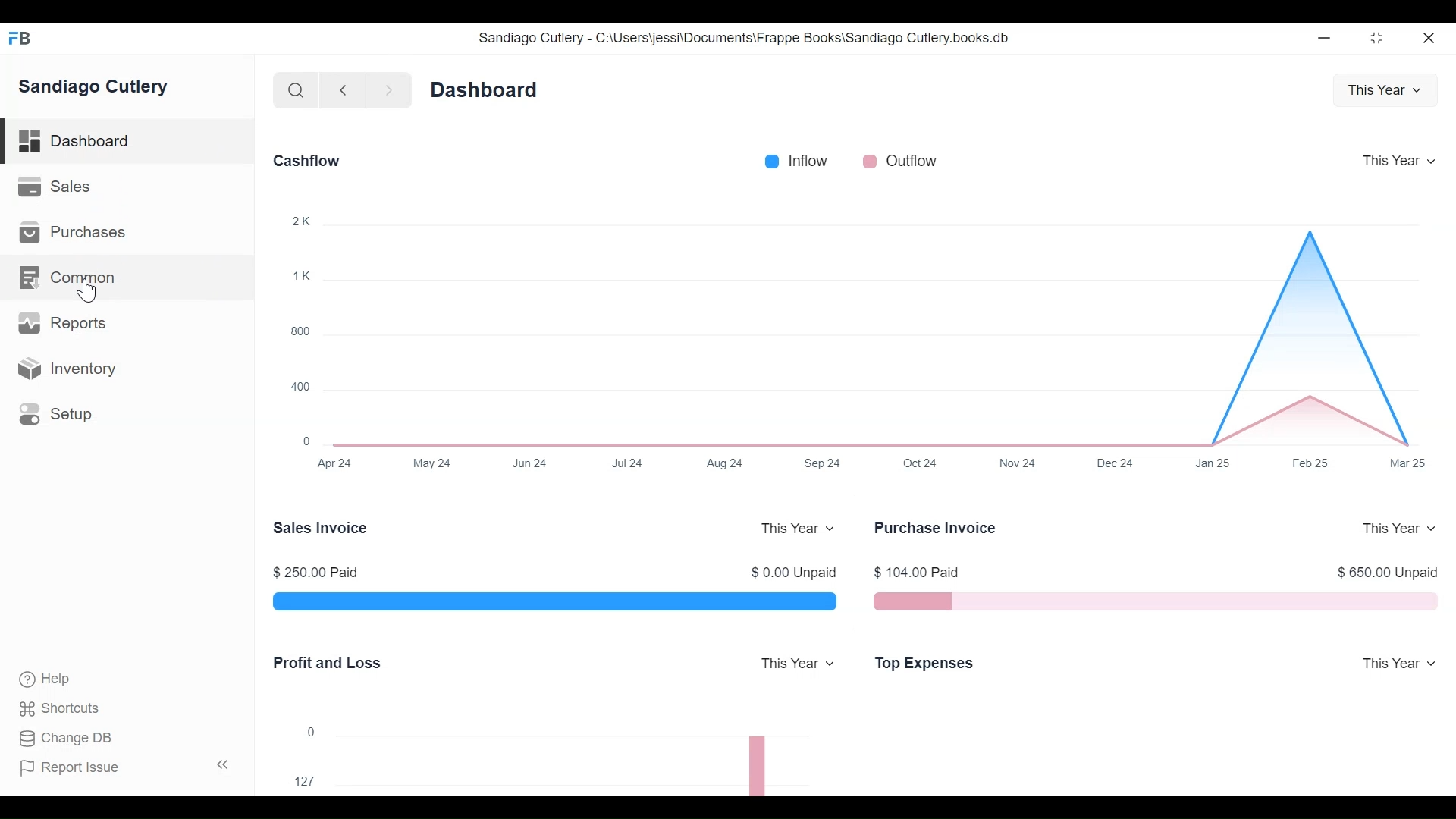 This screenshot has height=819, width=1456. What do you see at coordinates (546, 757) in the screenshot?
I see `graph` at bounding box center [546, 757].